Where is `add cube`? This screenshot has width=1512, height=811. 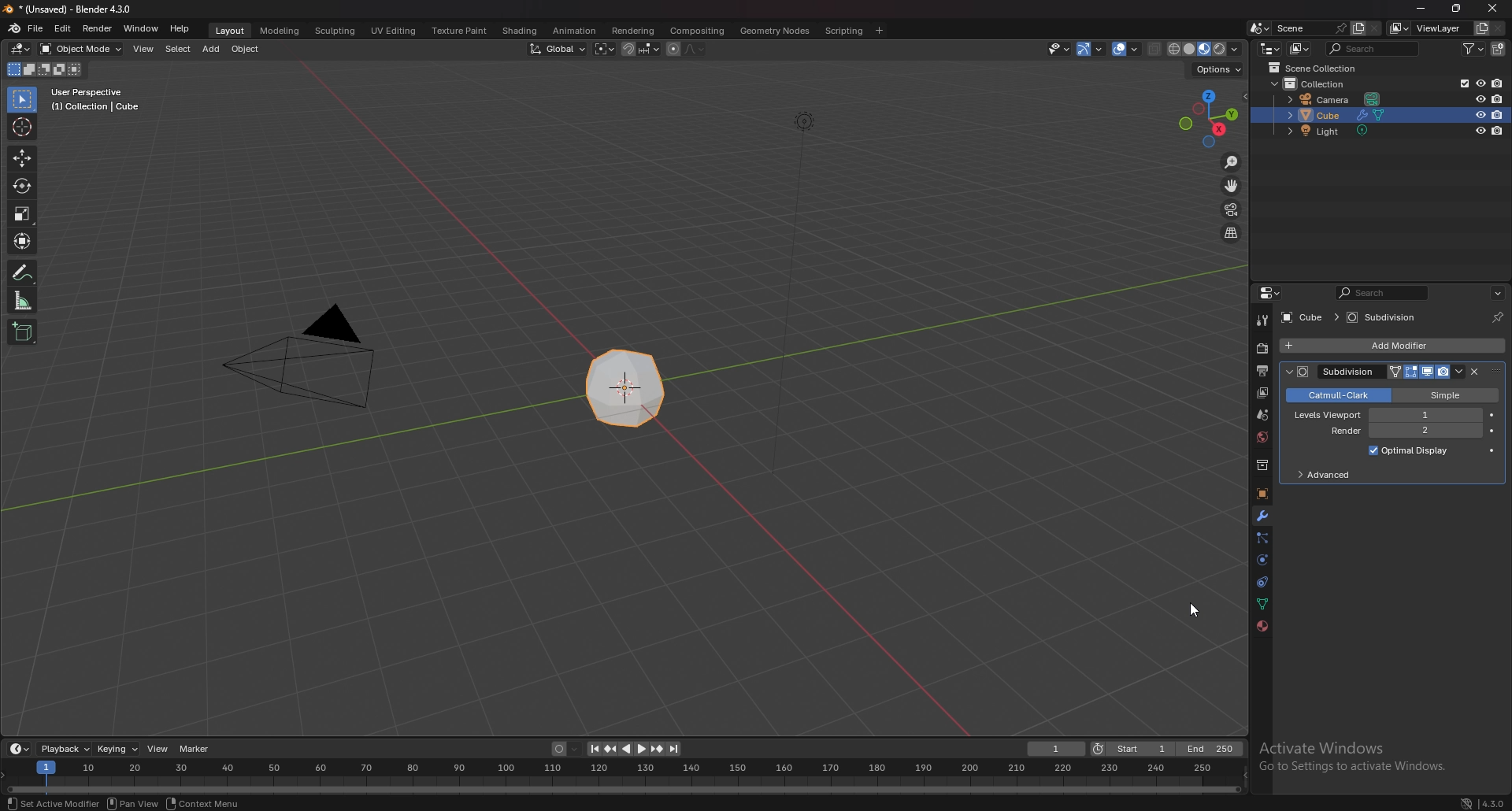 add cube is located at coordinates (21, 332).